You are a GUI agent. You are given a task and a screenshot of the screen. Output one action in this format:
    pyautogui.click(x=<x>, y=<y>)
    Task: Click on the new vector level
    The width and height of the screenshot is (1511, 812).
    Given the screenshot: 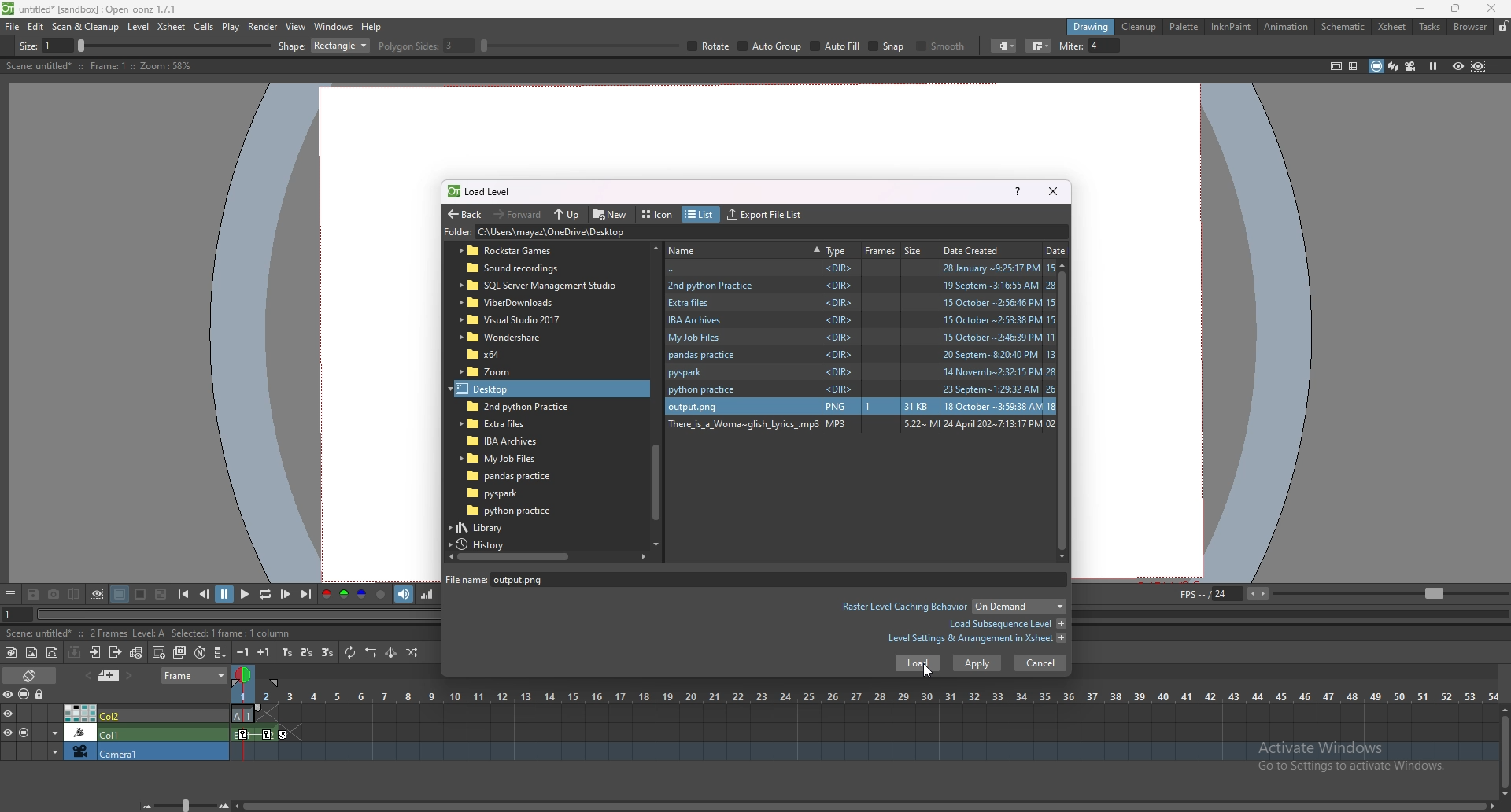 What is the action you would take?
    pyautogui.click(x=53, y=653)
    